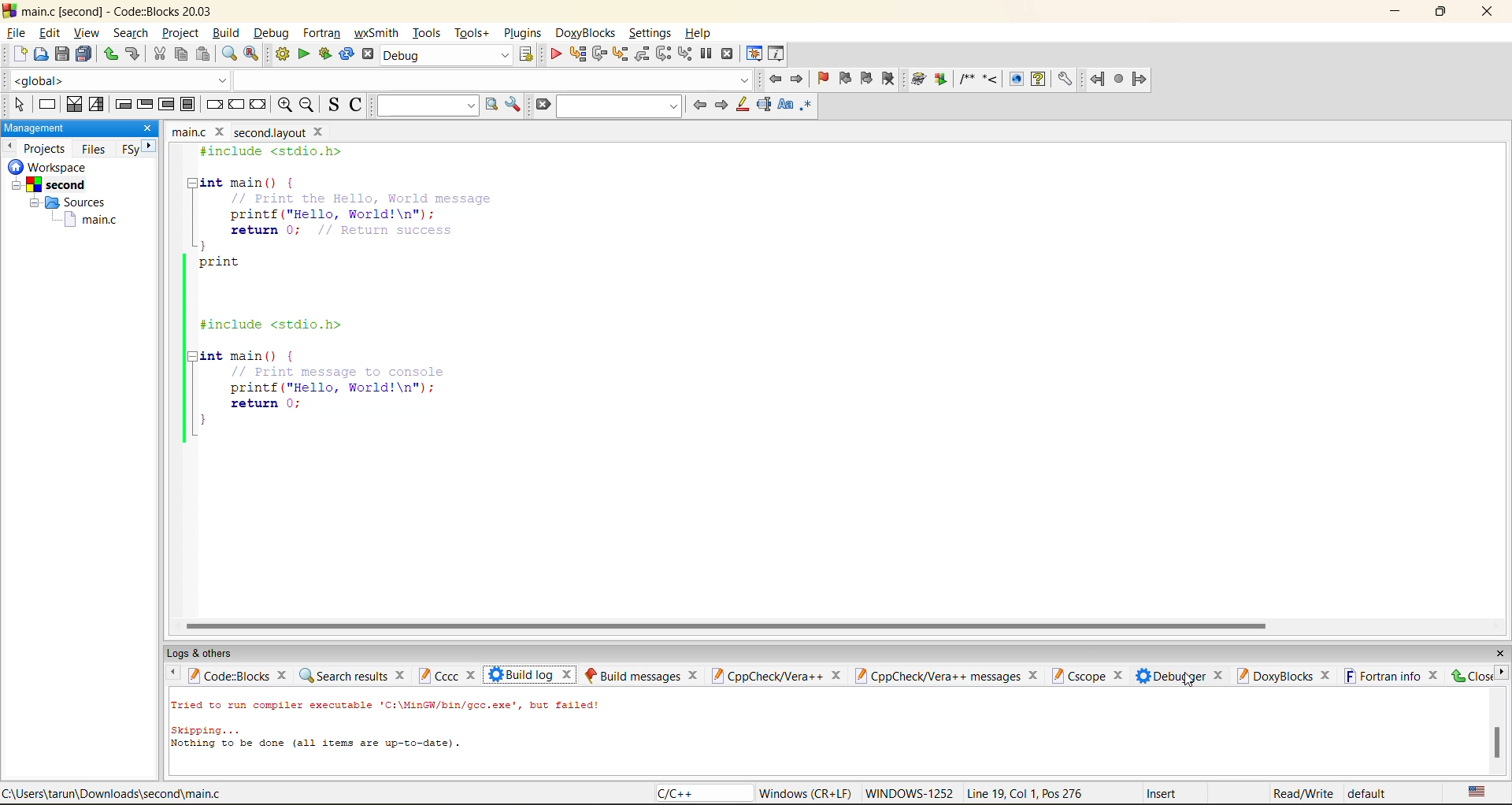 The height and width of the screenshot is (805, 1512). I want to click on zoom out, so click(307, 106).